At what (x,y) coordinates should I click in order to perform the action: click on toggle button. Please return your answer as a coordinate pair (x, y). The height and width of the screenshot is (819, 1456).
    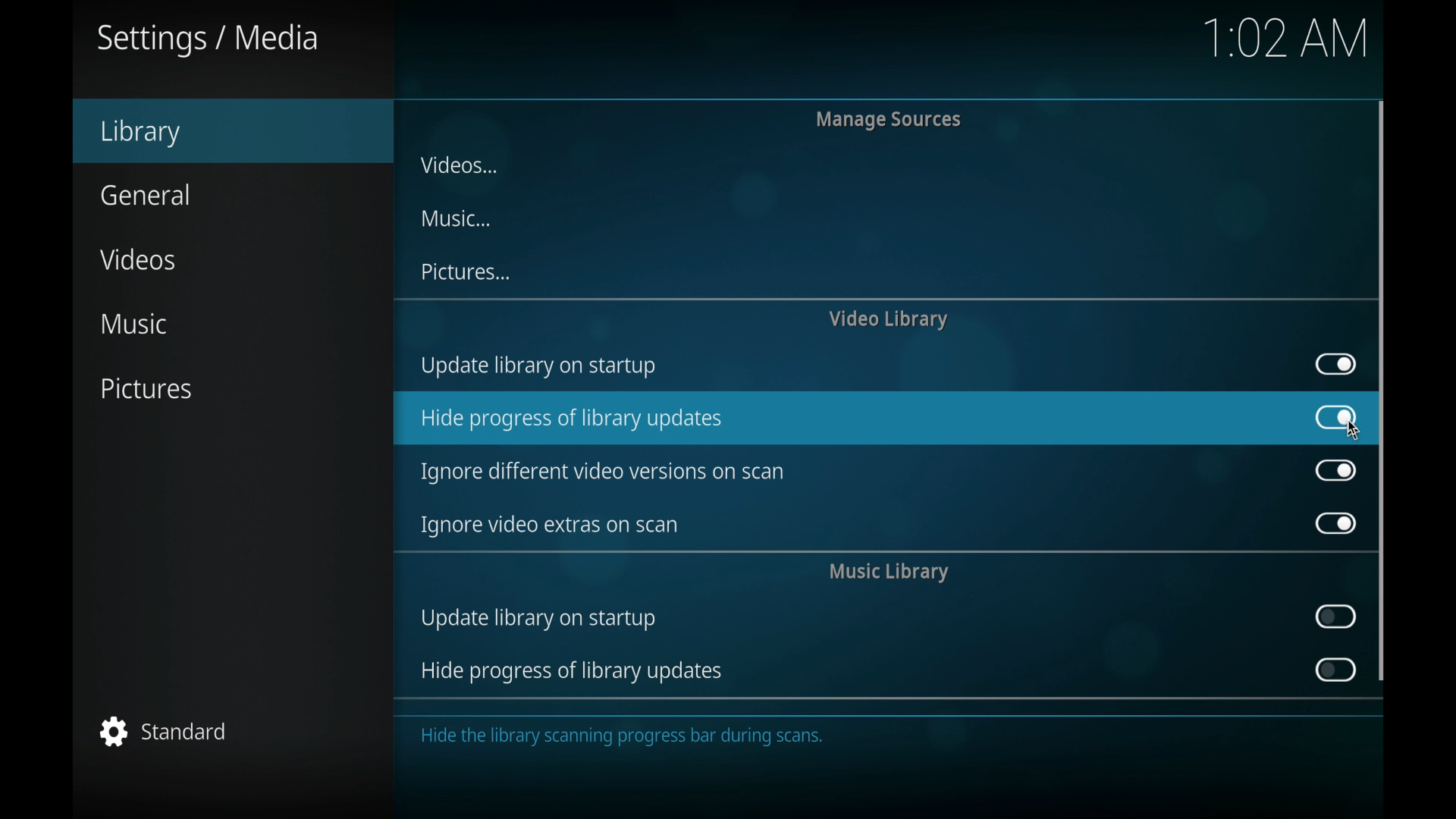
    Looking at the image, I should click on (1336, 470).